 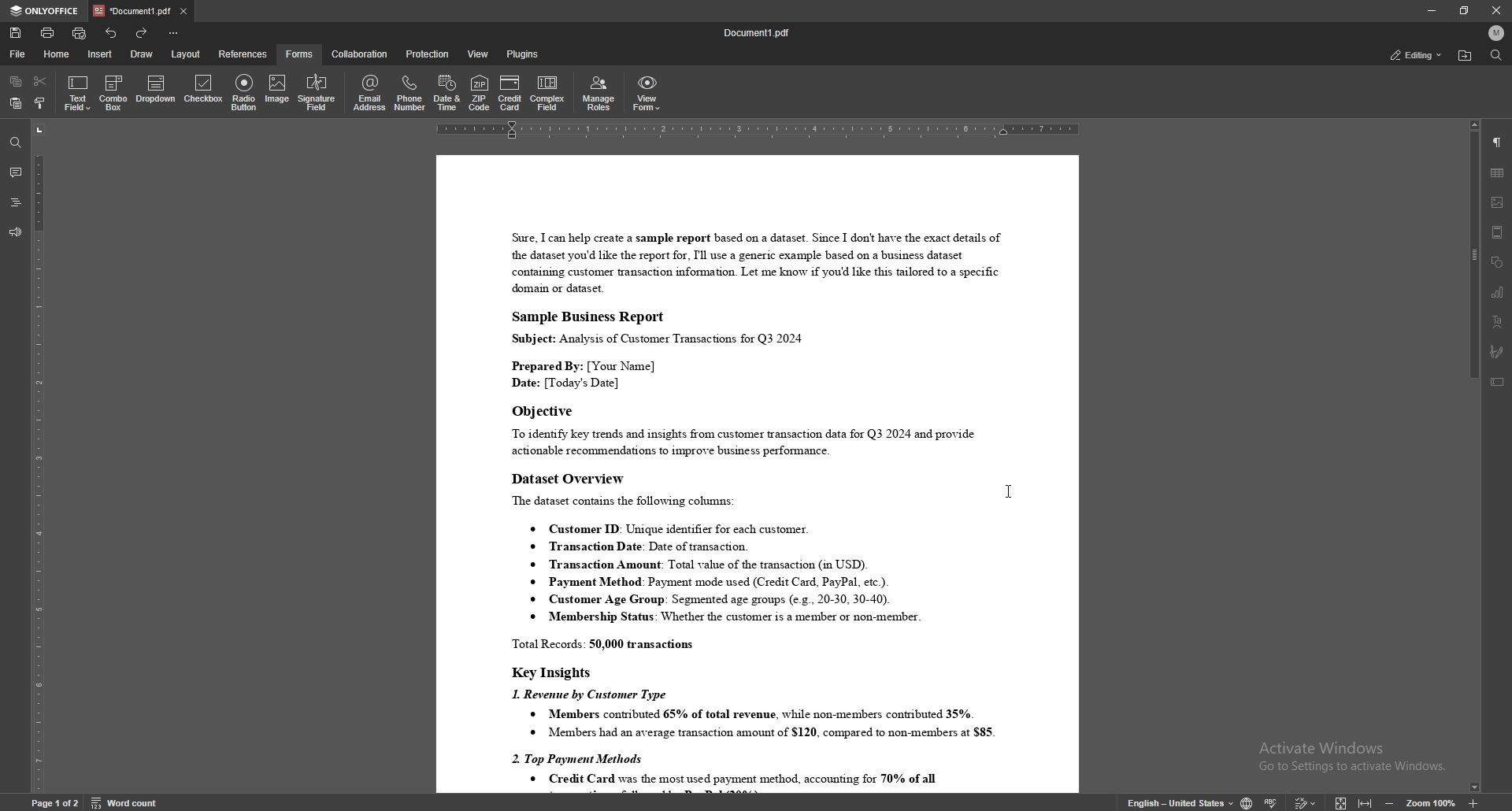 I want to click on complex field, so click(x=550, y=93).